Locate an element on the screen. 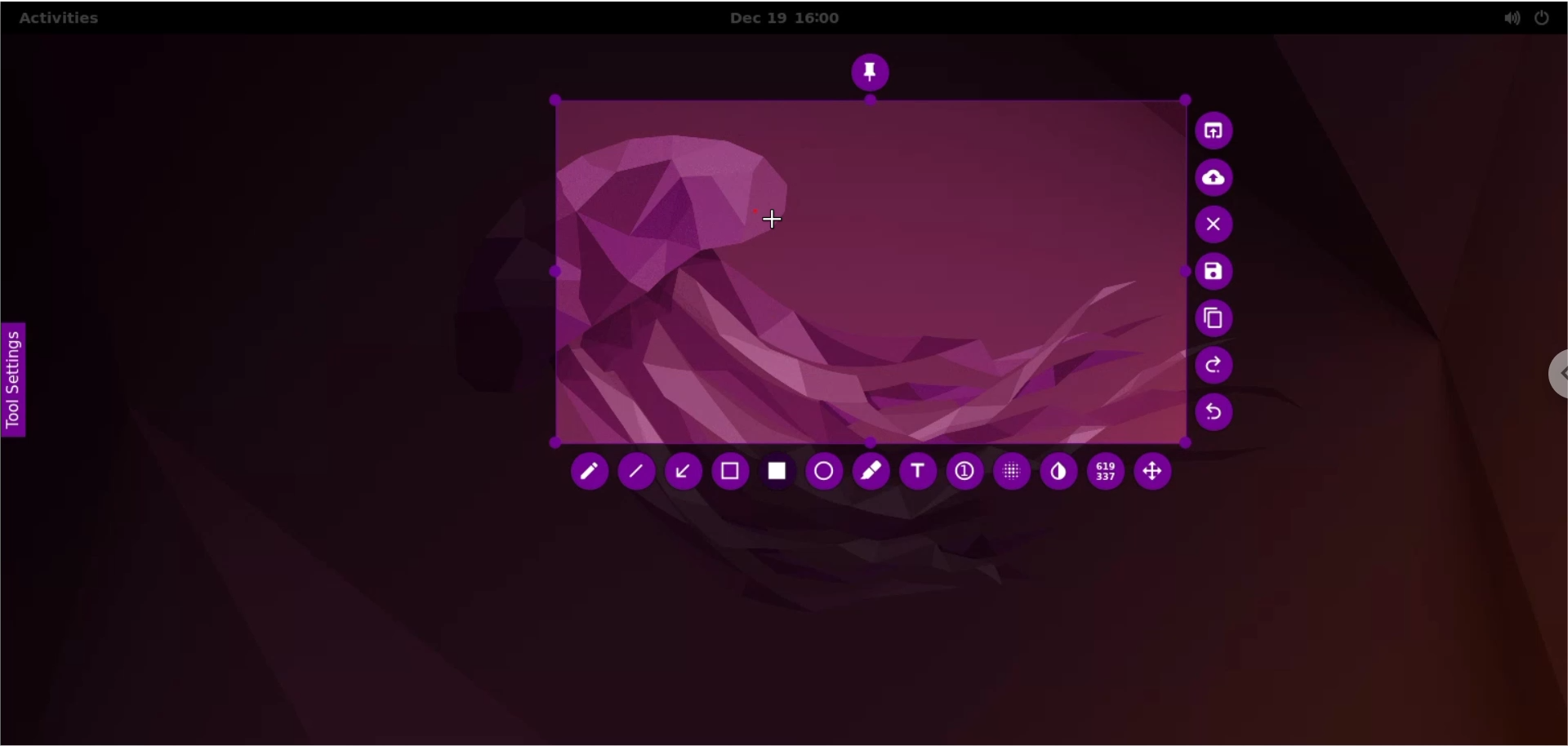  pixelette is located at coordinates (1008, 475).